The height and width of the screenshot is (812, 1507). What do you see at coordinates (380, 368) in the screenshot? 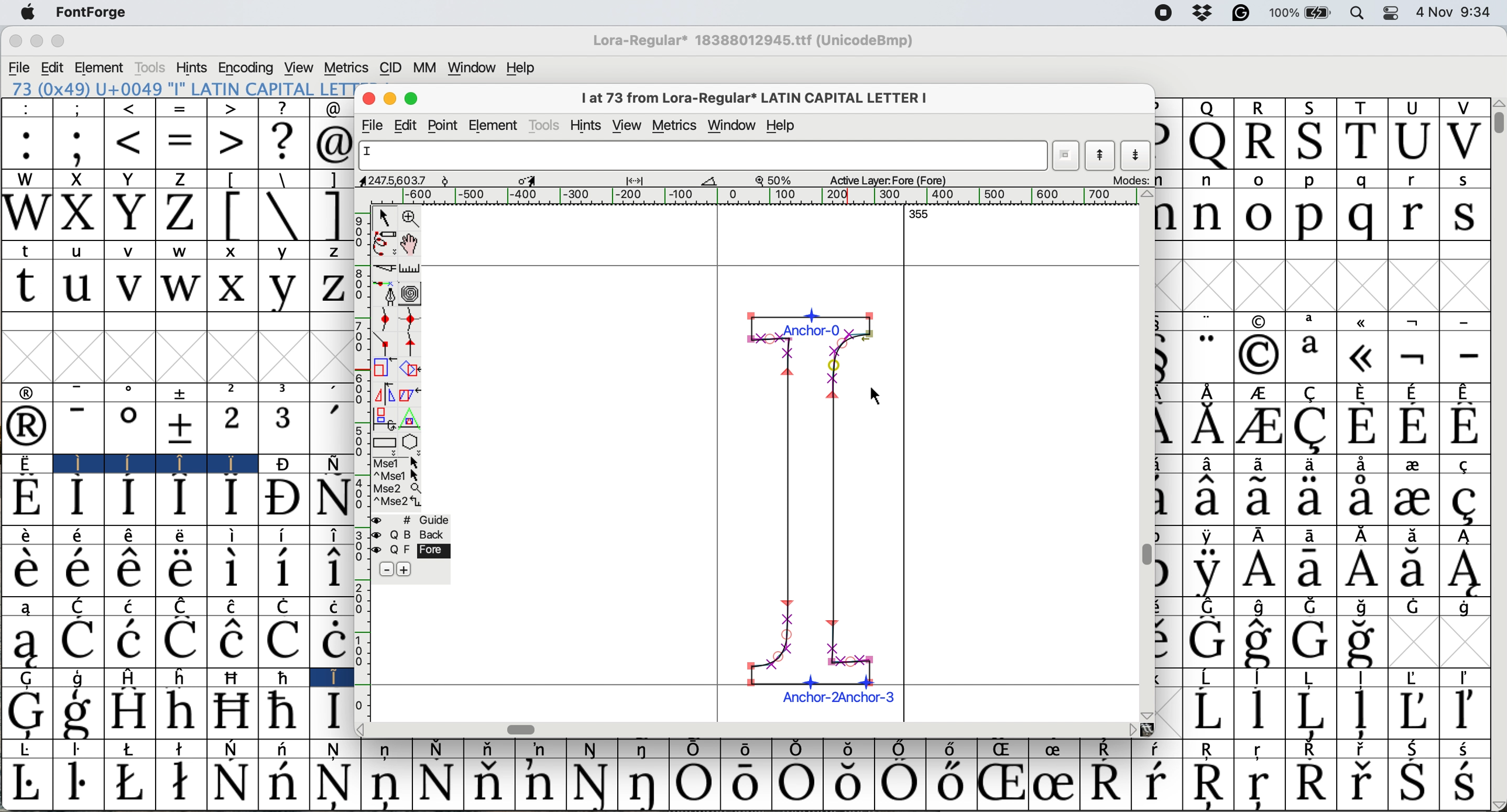
I see `scale the selection` at bounding box center [380, 368].